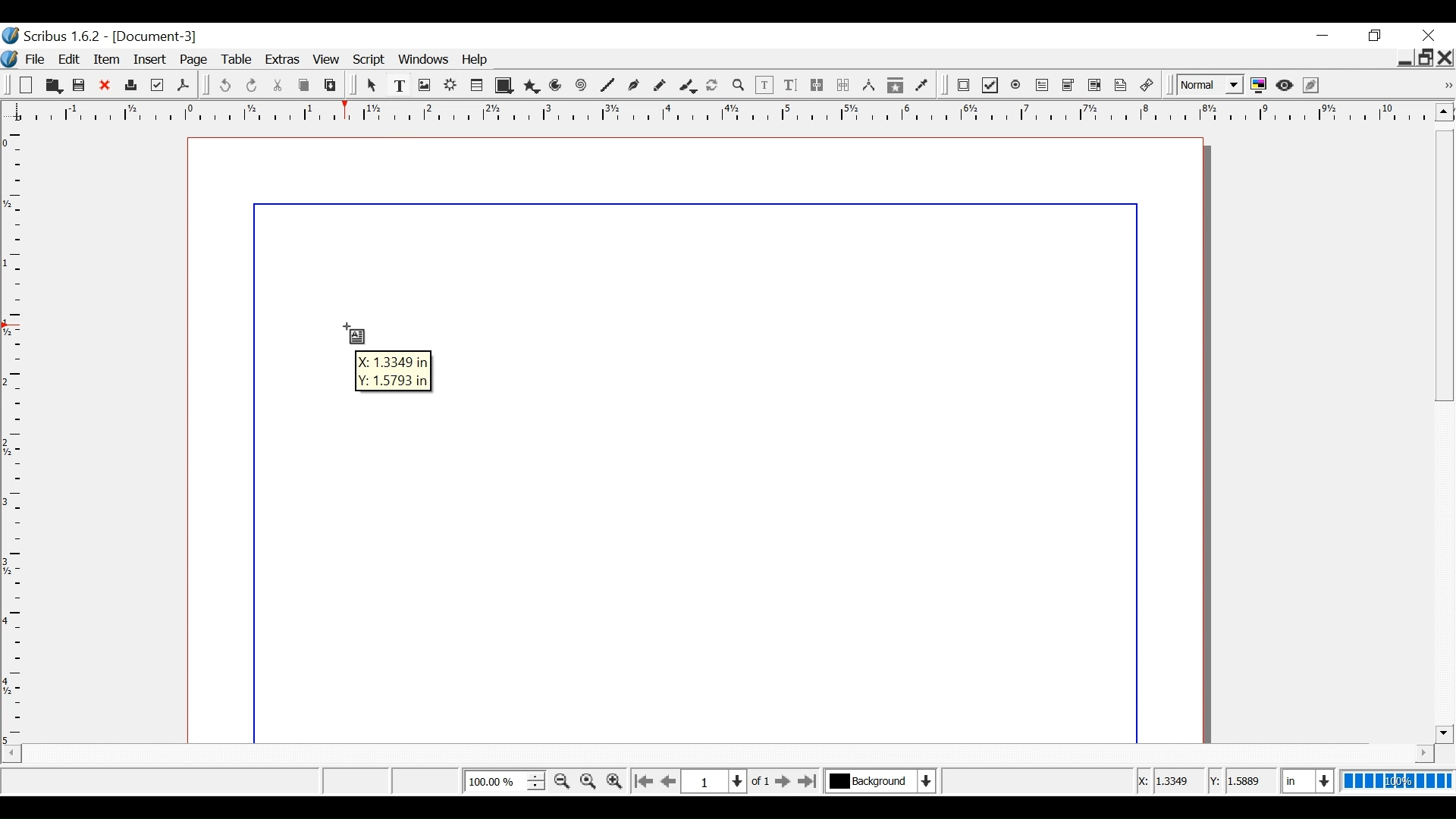 Image resolution: width=1456 pixels, height=819 pixels. I want to click on Copy items properties, so click(895, 86).